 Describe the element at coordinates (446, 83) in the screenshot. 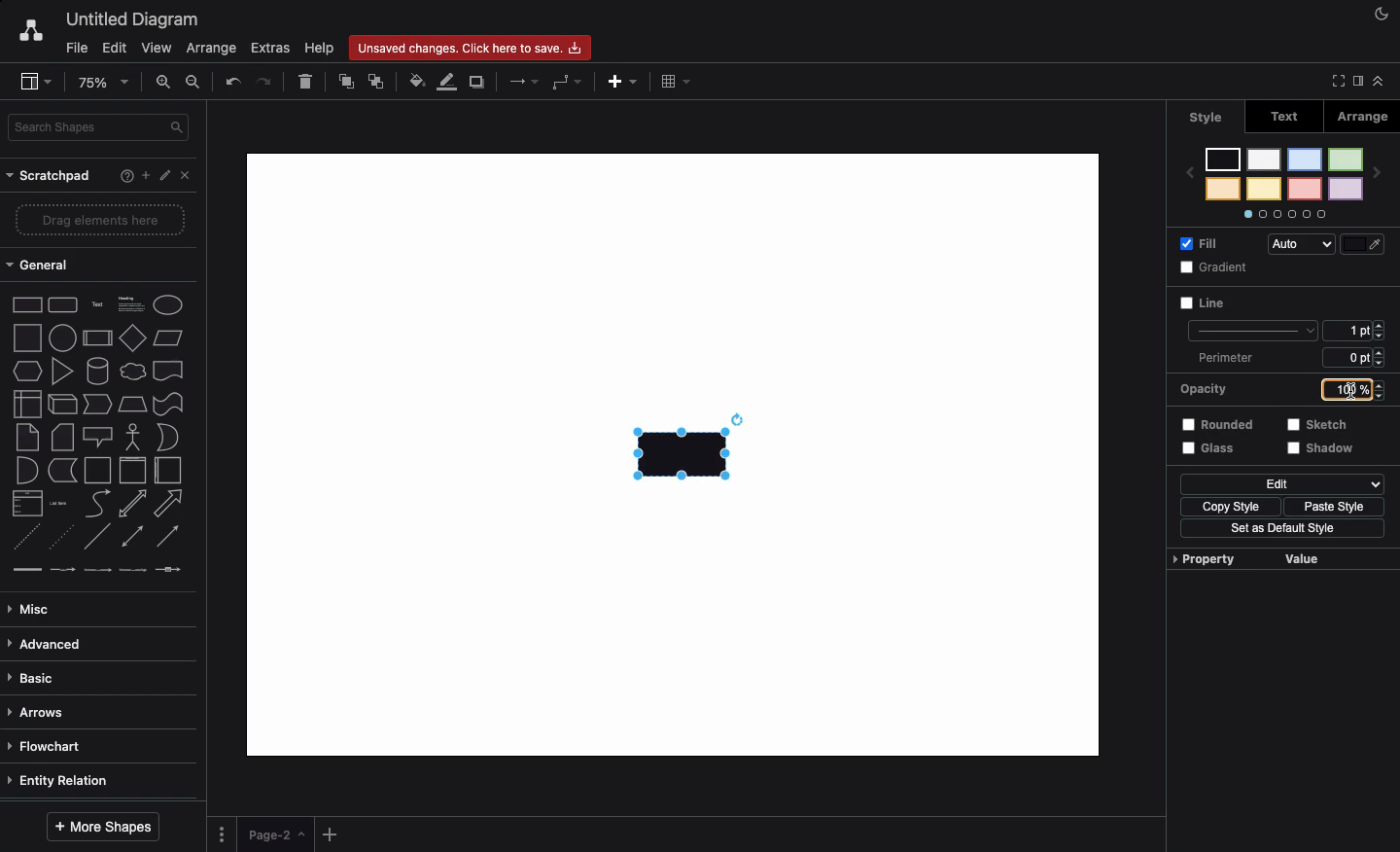

I see `Line color` at that location.